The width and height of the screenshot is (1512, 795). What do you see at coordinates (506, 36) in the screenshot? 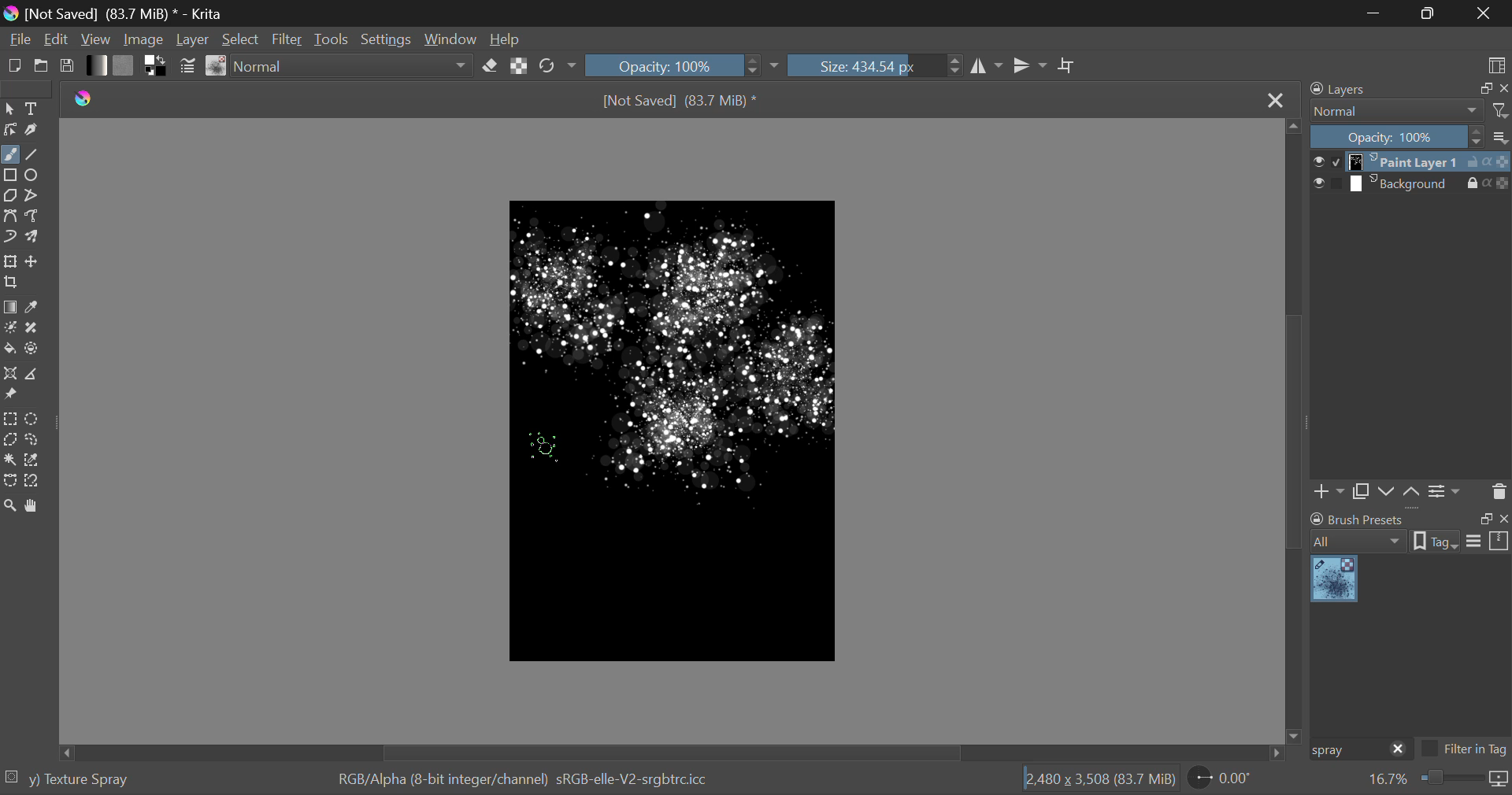
I see `Help` at bounding box center [506, 36].